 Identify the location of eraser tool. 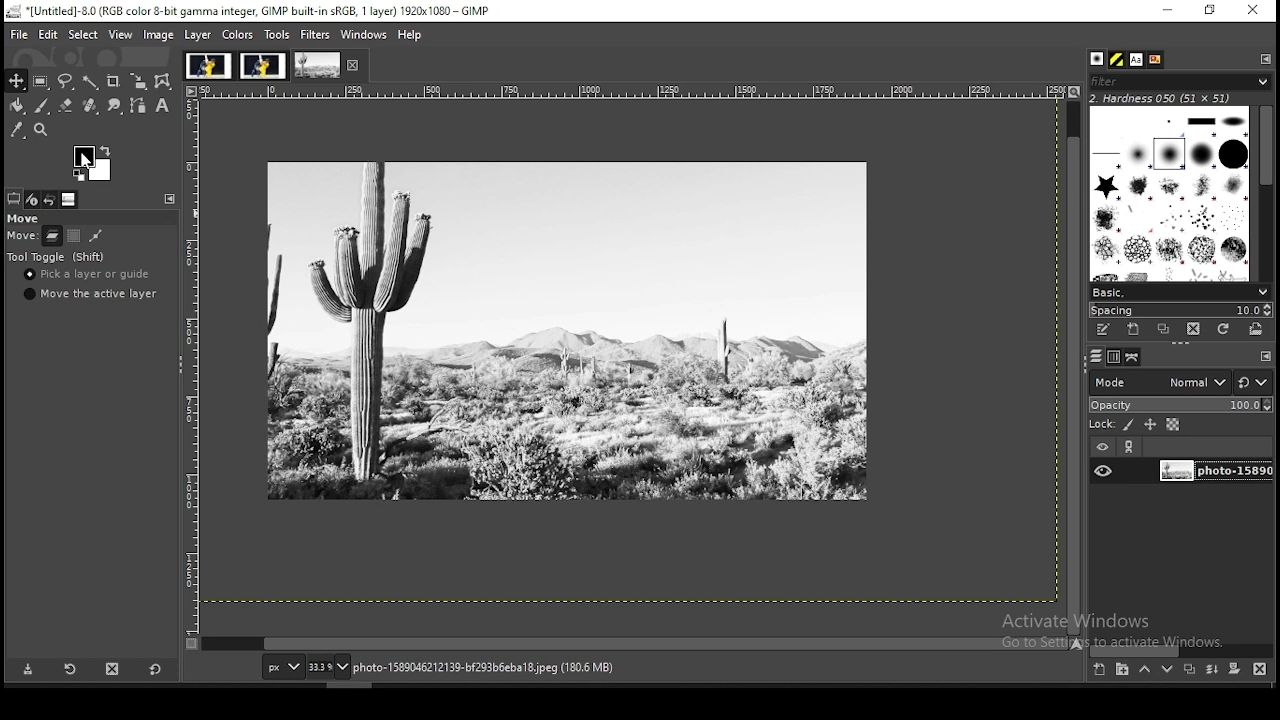
(67, 106).